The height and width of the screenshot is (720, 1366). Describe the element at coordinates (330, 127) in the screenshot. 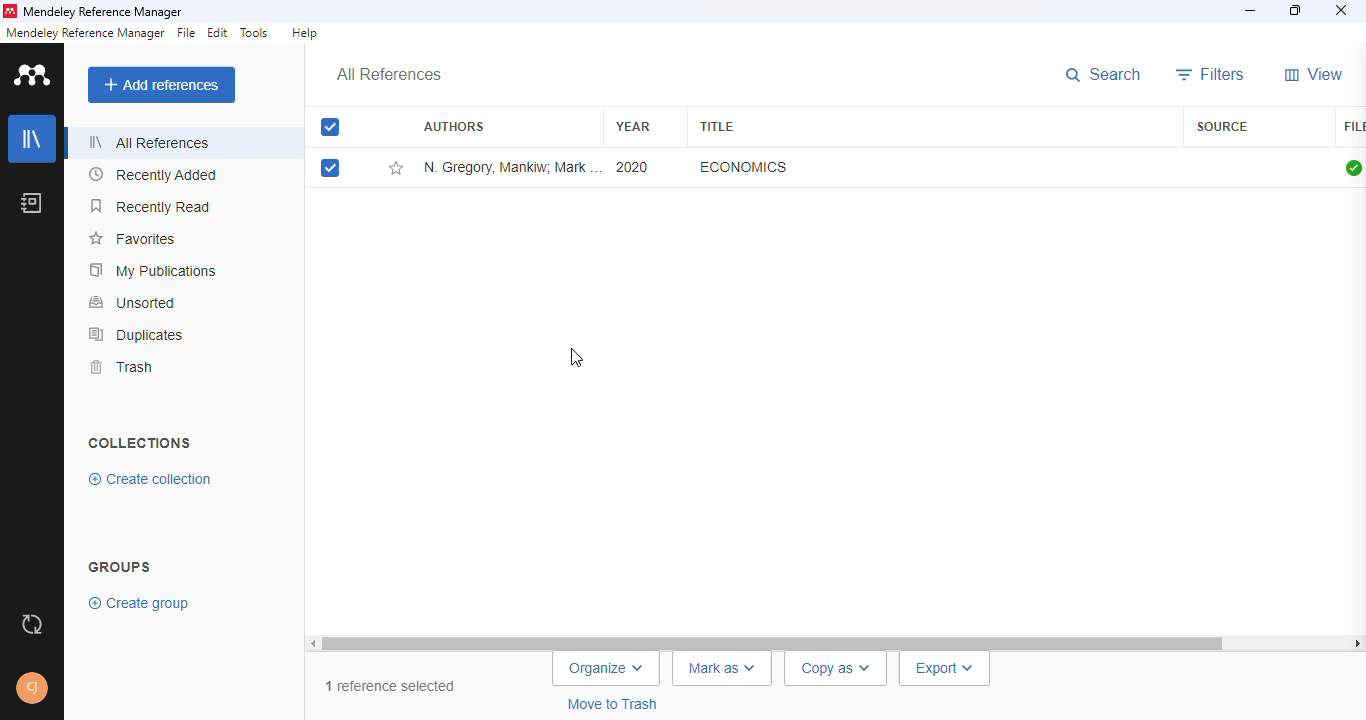

I see `selected` at that location.